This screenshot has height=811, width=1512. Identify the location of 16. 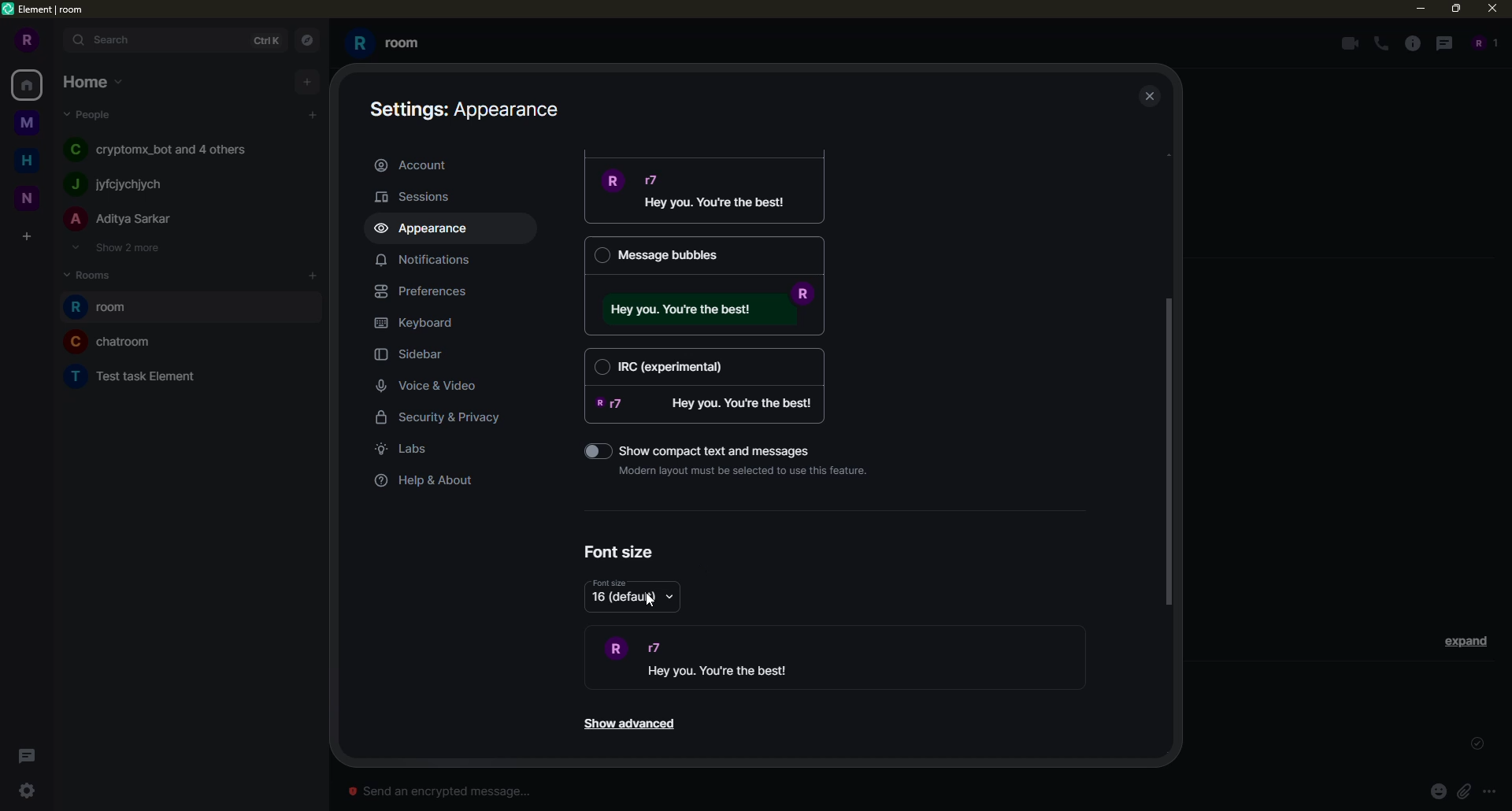
(624, 601).